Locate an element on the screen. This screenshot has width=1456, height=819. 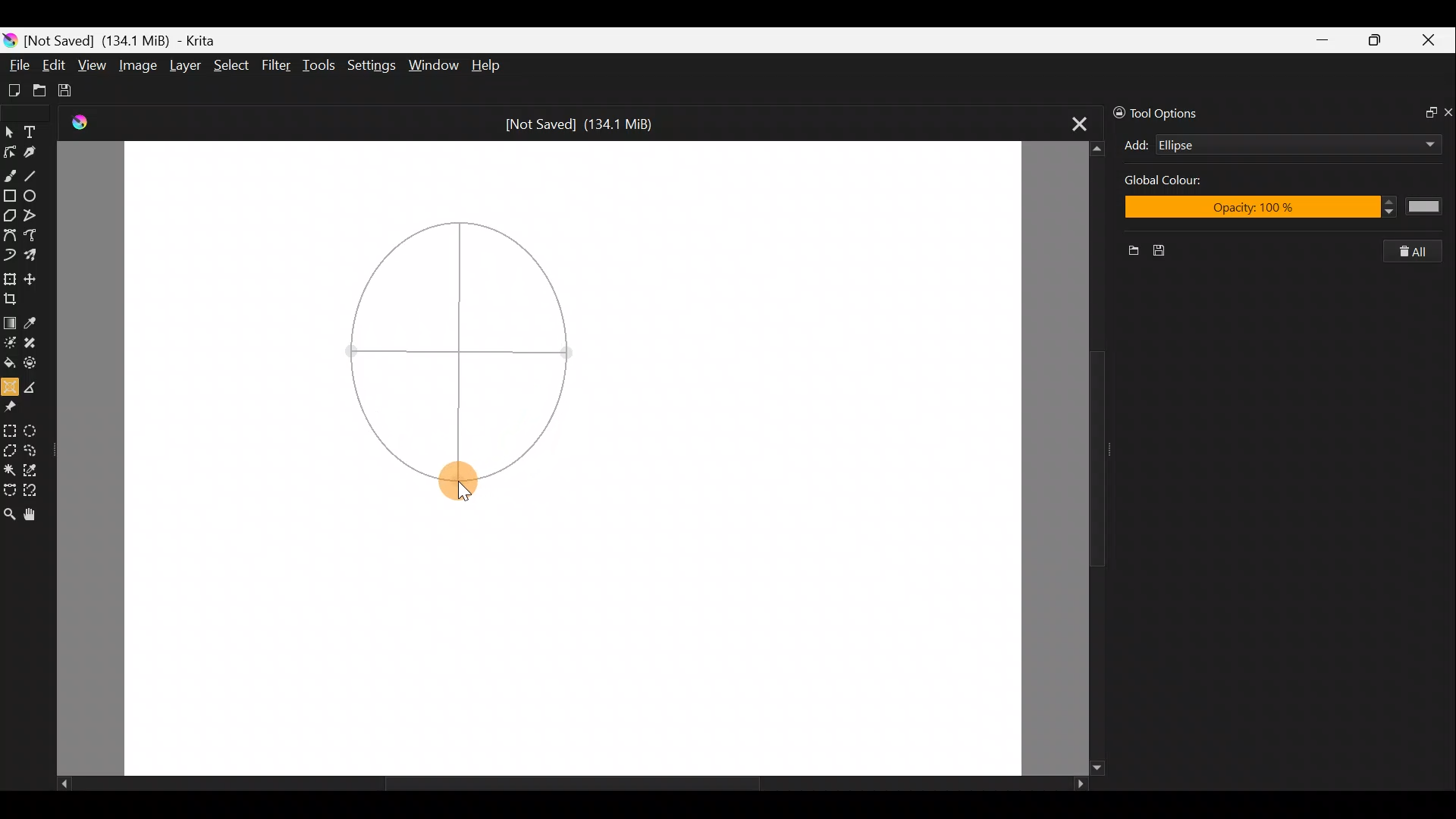
[Not Saved] (134.1 MiB) - Krita is located at coordinates (132, 41).